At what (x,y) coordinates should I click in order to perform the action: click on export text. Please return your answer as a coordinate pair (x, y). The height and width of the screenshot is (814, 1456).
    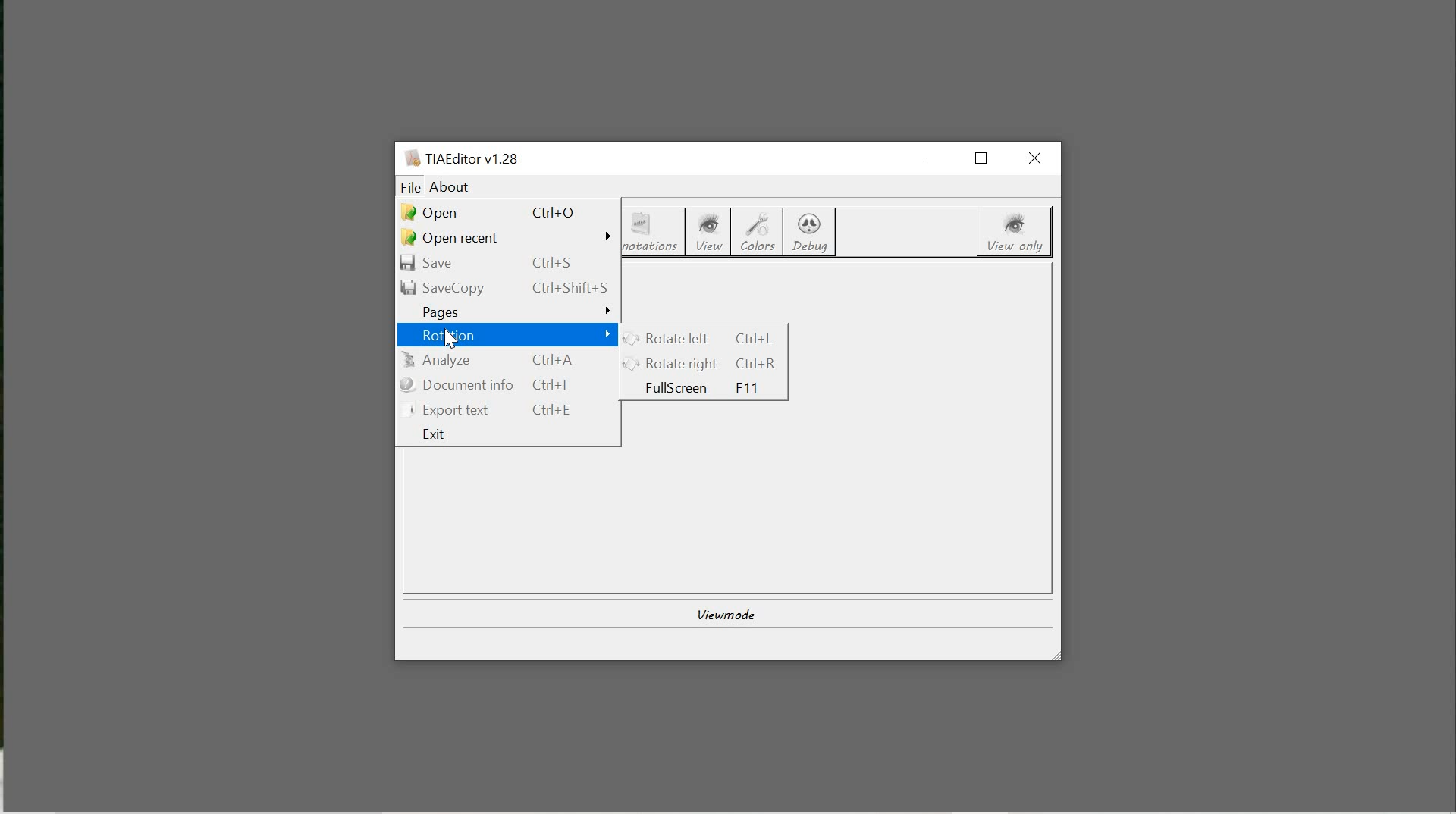
    Looking at the image, I should click on (509, 409).